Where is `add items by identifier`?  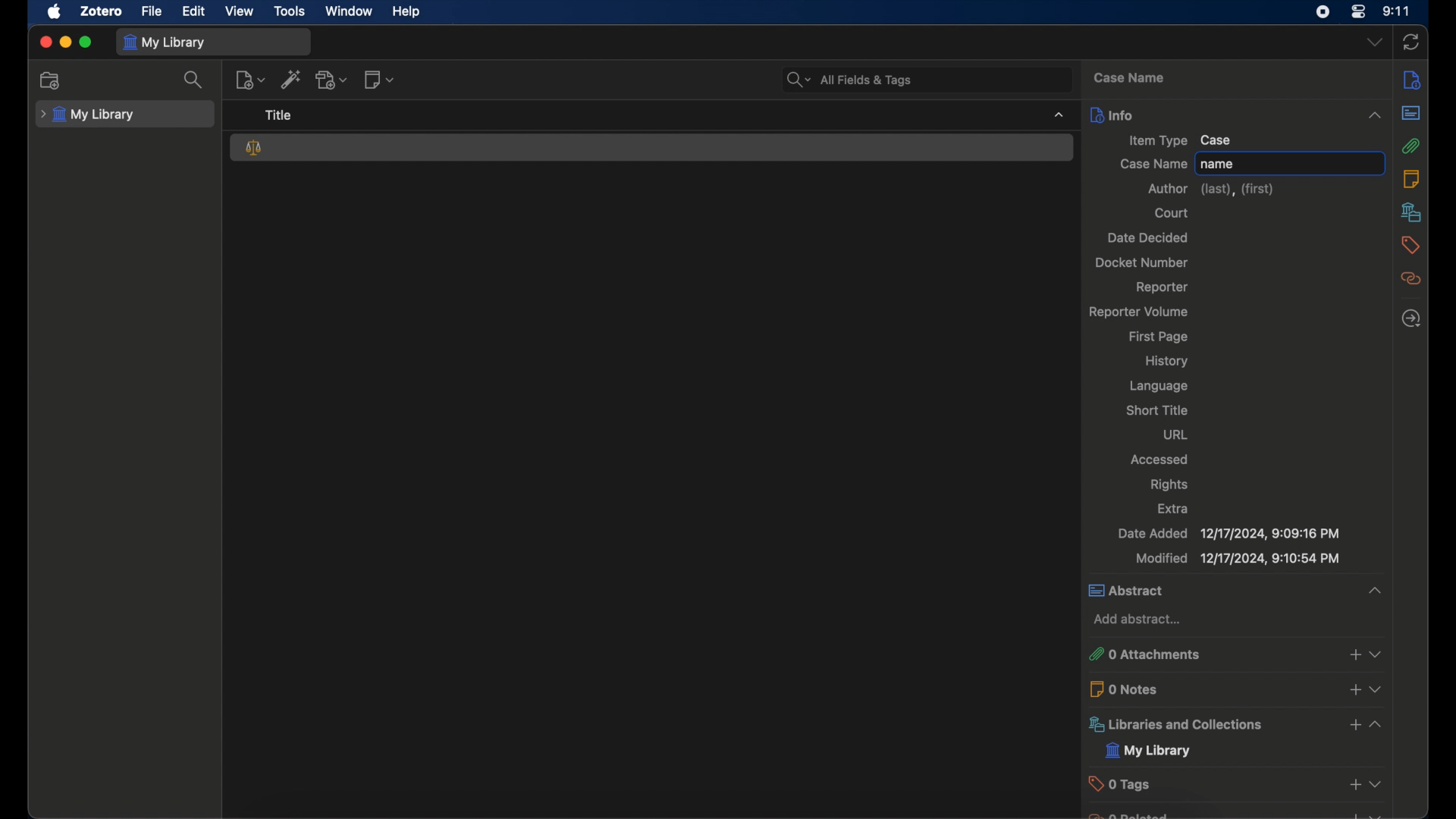
add items by identifier is located at coordinates (291, 79).